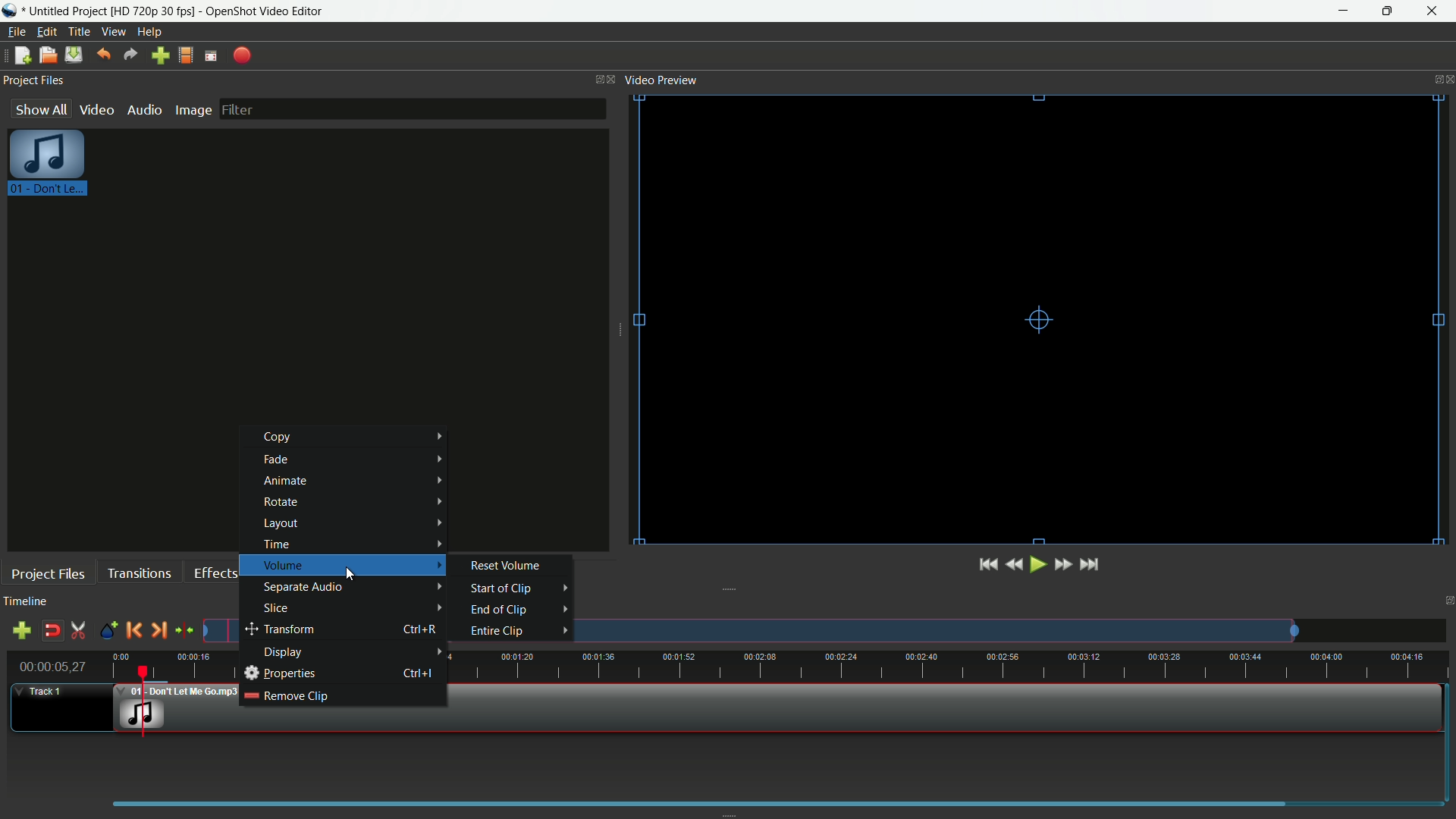 The height and width of the screenshot is (819, 1456). I want to click on profile, so click(153, 11).